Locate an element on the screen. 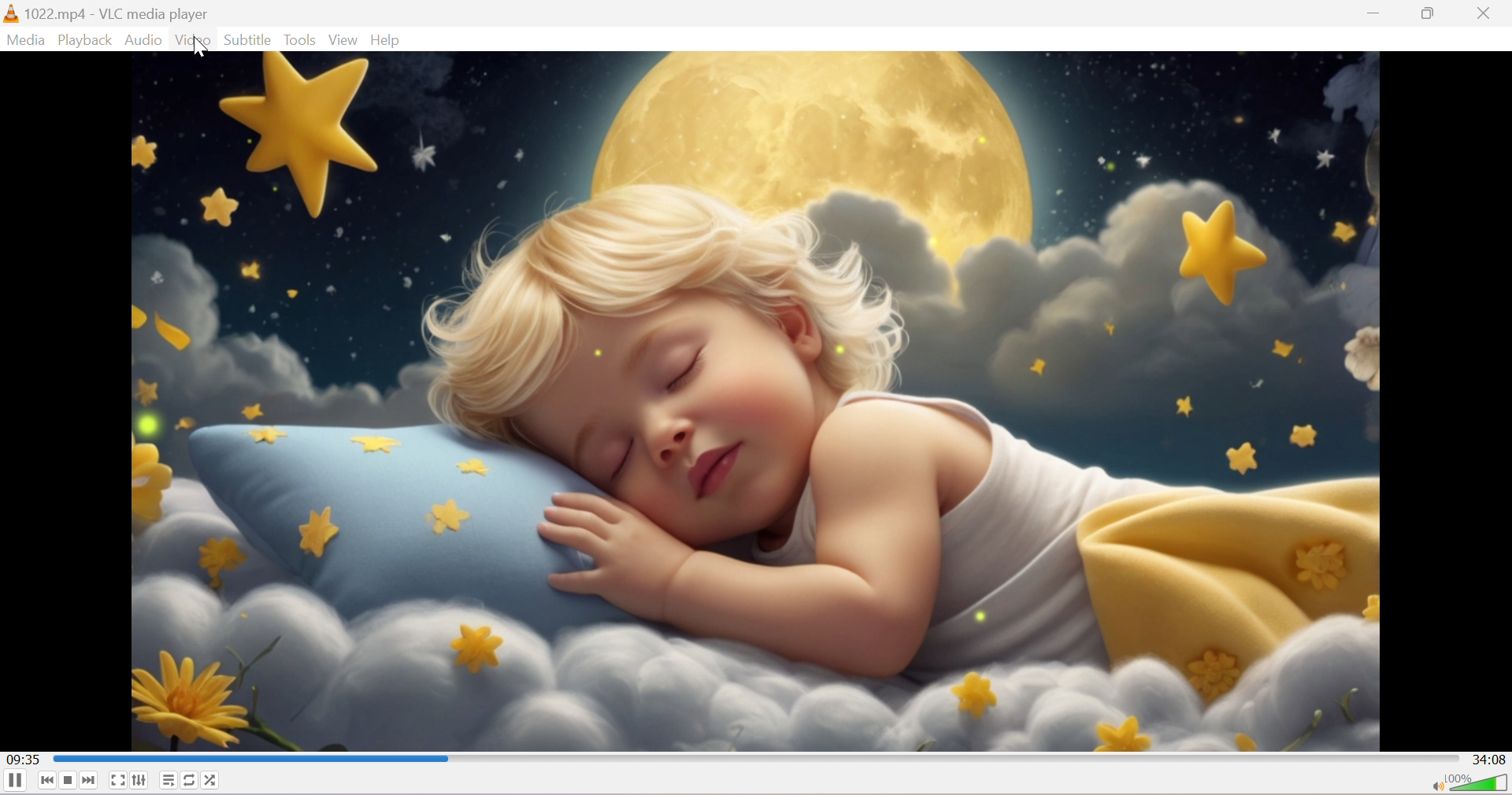 This screenshot has height=795, width=1512. Restore down is located at coordinates (1431, 17).